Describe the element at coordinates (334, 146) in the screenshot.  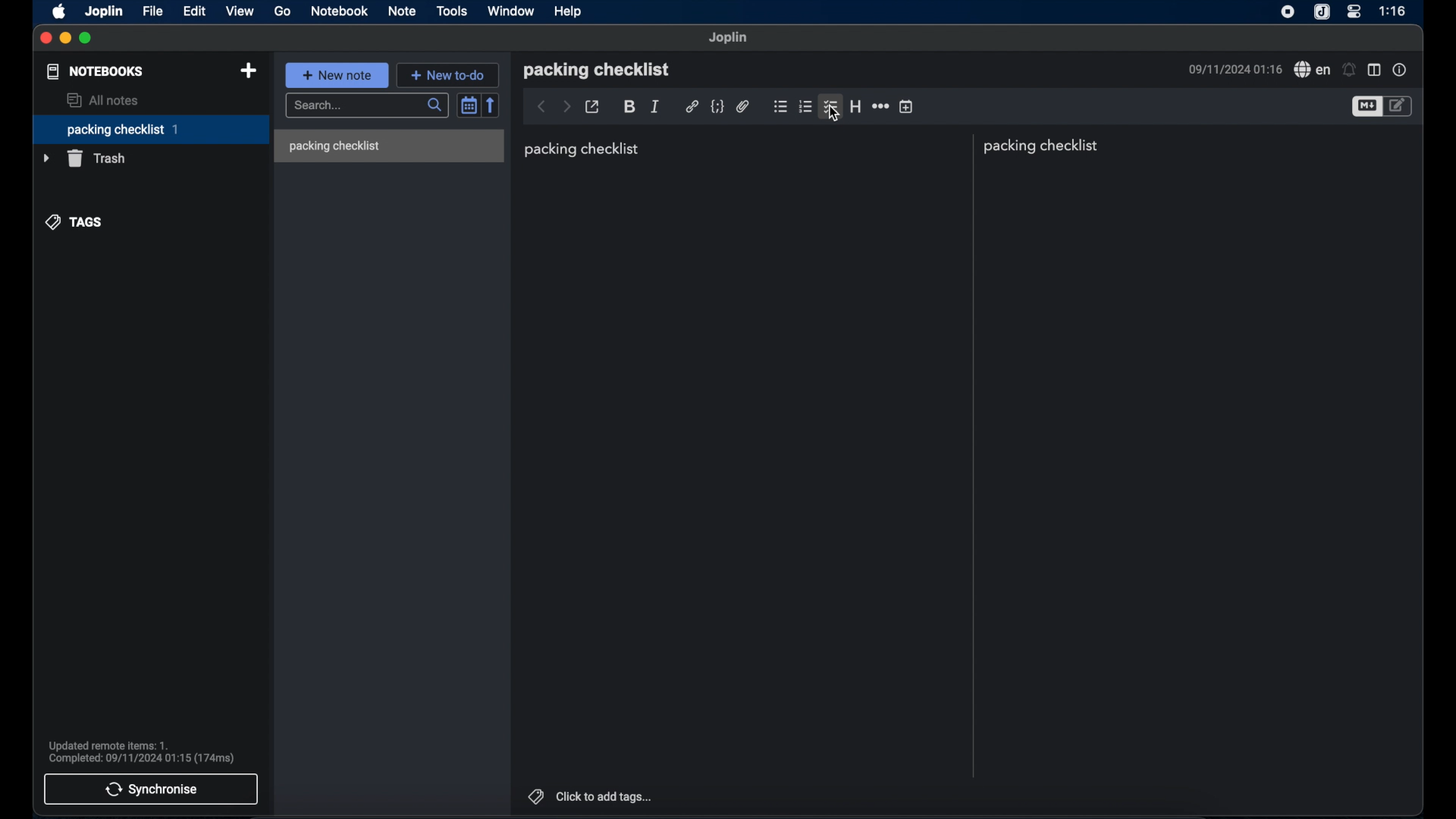
I see `packing checklist` at that location.